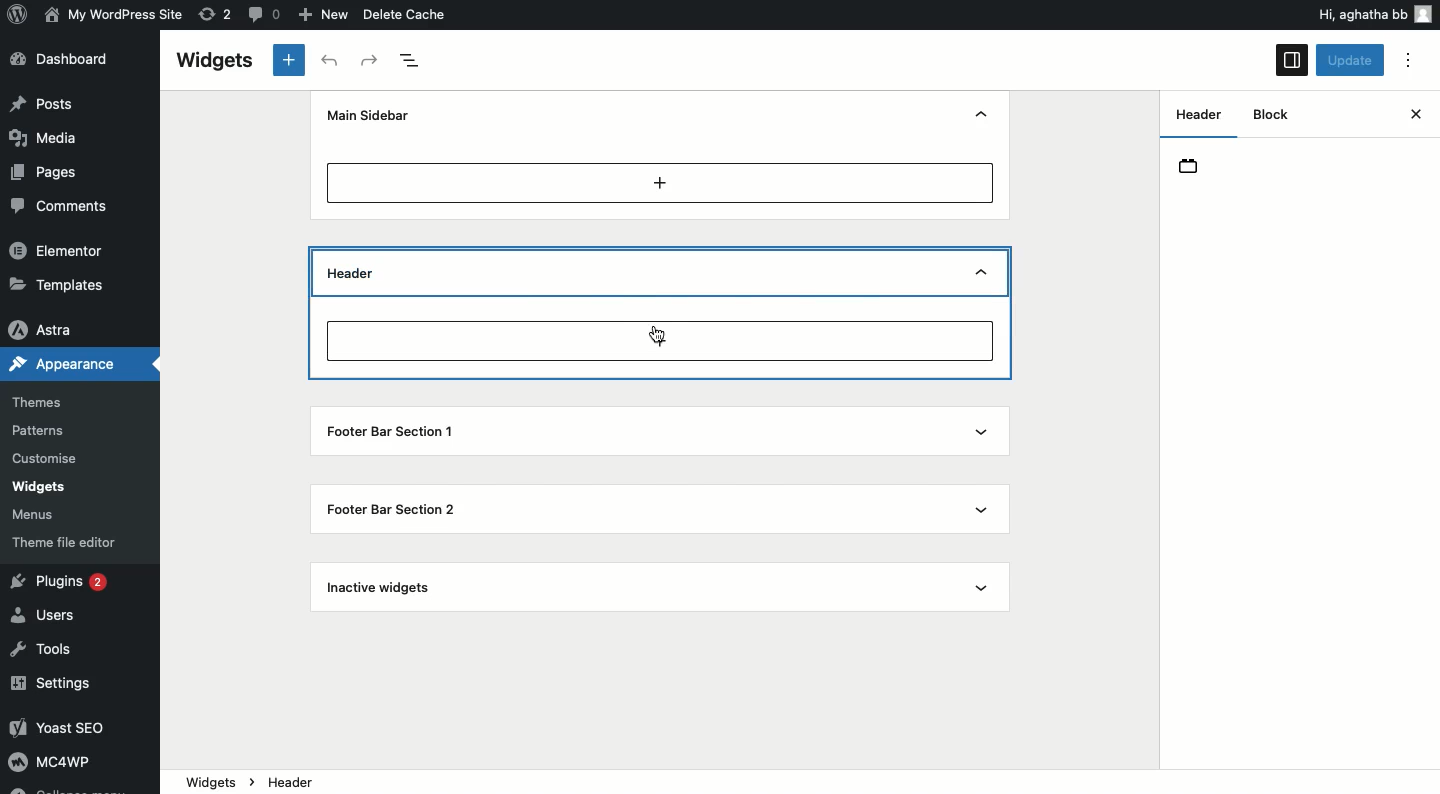 The image size is (1440, 794). I want to click on Show, so click(982, 275).